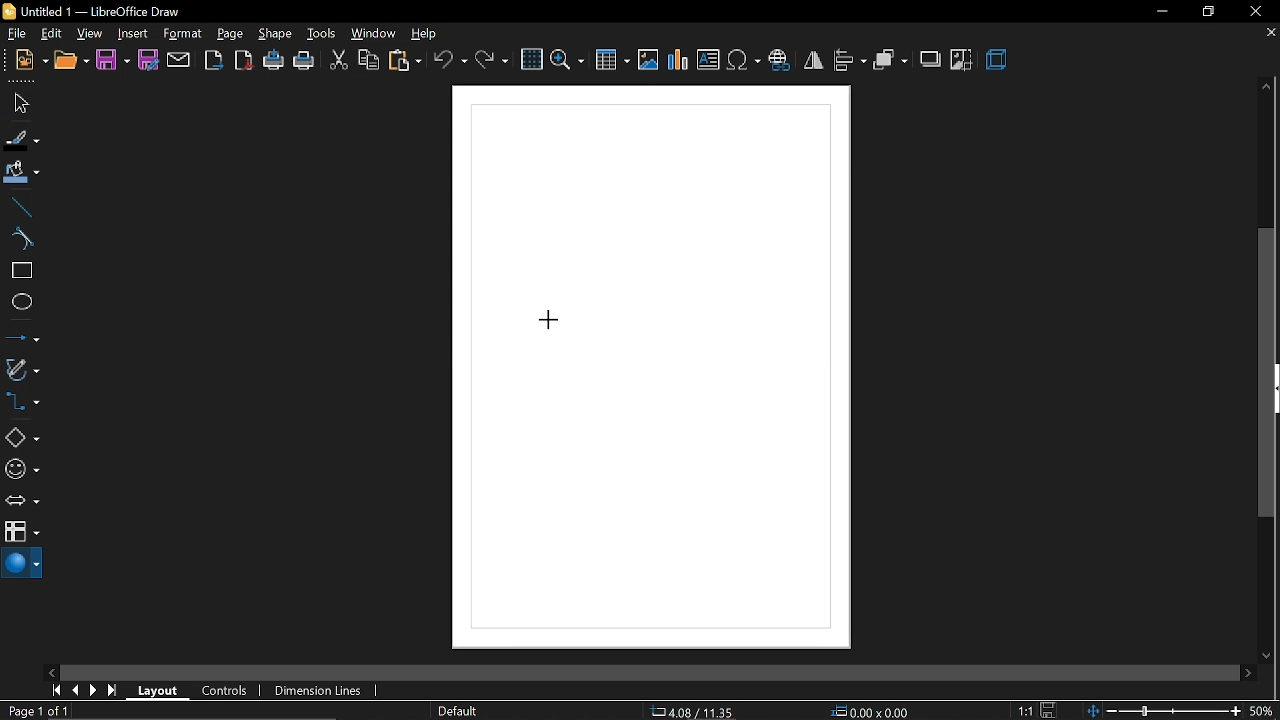 This screenshot has height=720, width=1280. I want to click on redo, so click(491, 59).